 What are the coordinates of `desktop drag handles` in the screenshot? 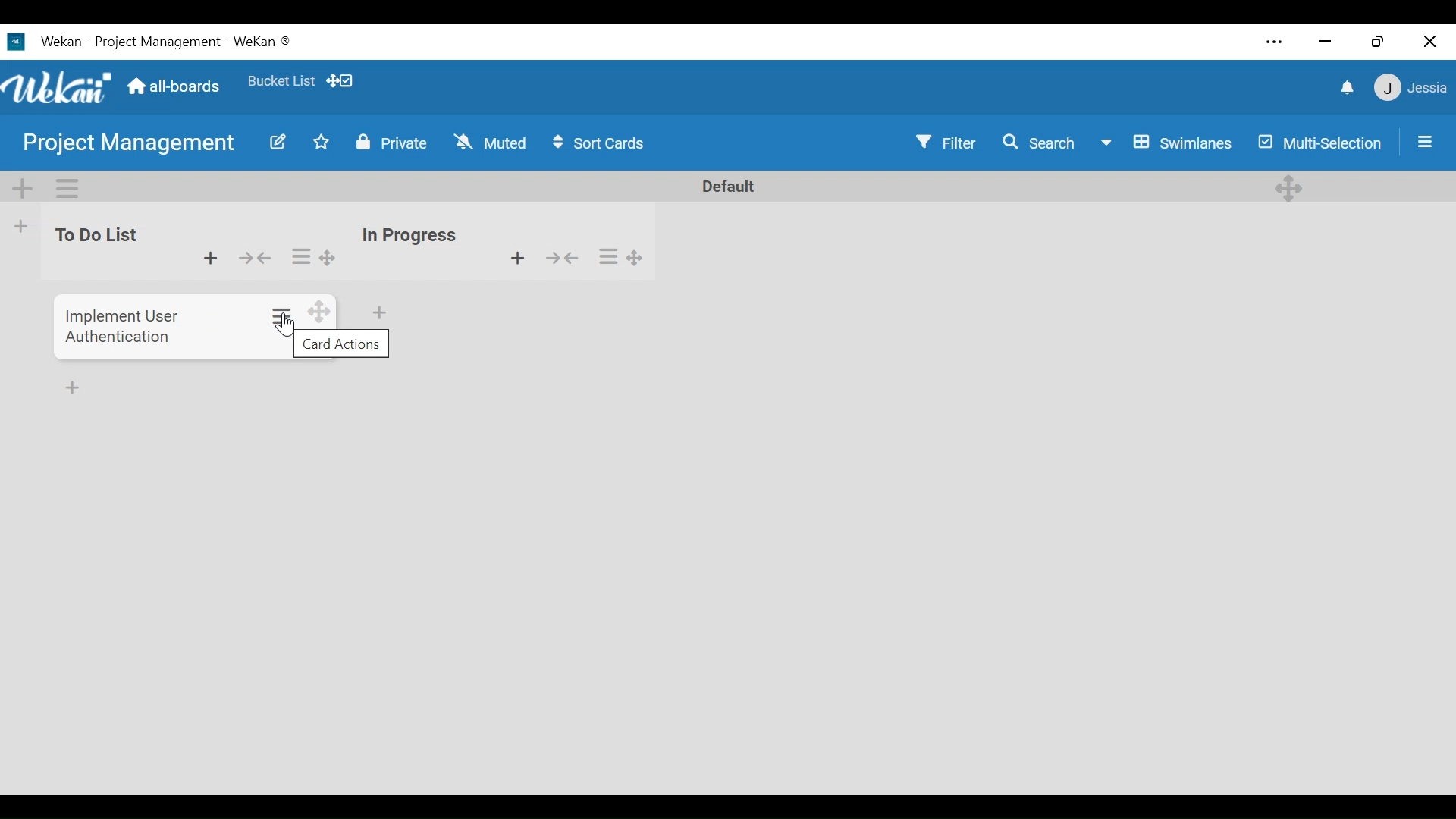 It's located at (318, 311).